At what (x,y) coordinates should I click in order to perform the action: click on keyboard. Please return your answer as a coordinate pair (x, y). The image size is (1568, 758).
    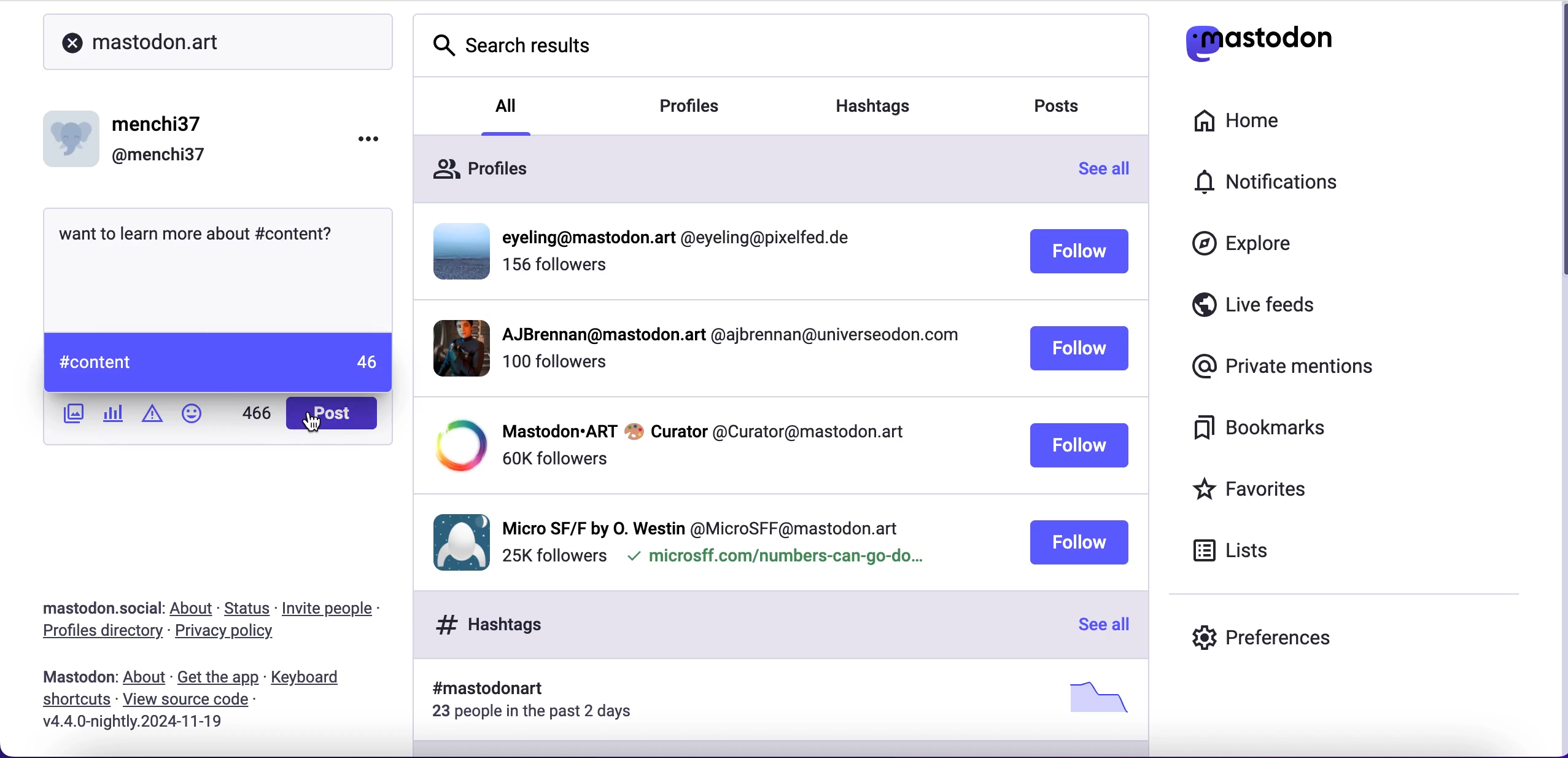
    Looking at the image, I should click on (309, 678).